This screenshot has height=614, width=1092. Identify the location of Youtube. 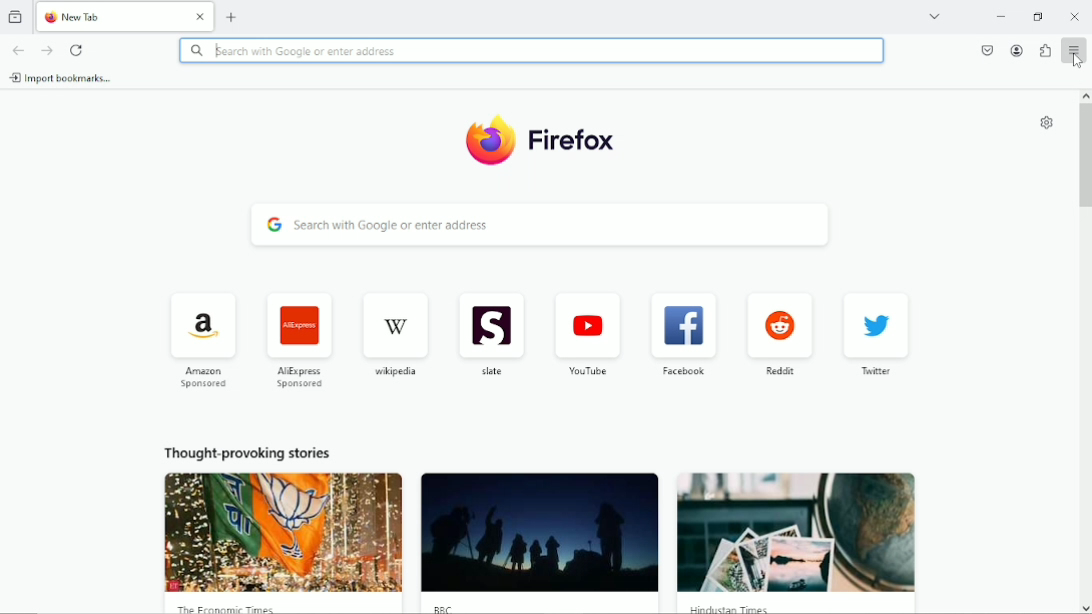
(586, 335).